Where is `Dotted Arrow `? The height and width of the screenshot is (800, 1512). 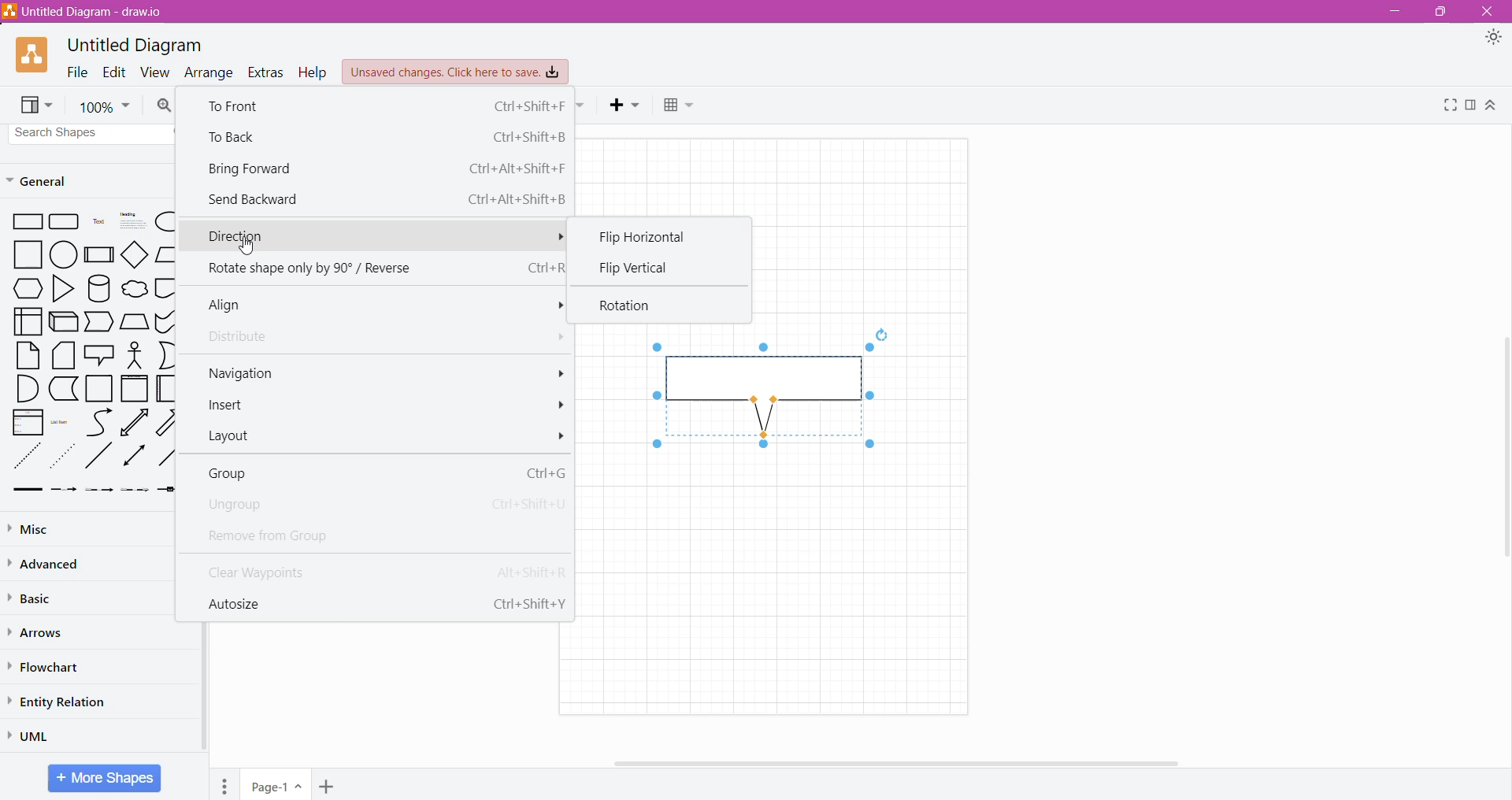
Dotted Arrow  is located at coordinates (135, 492).